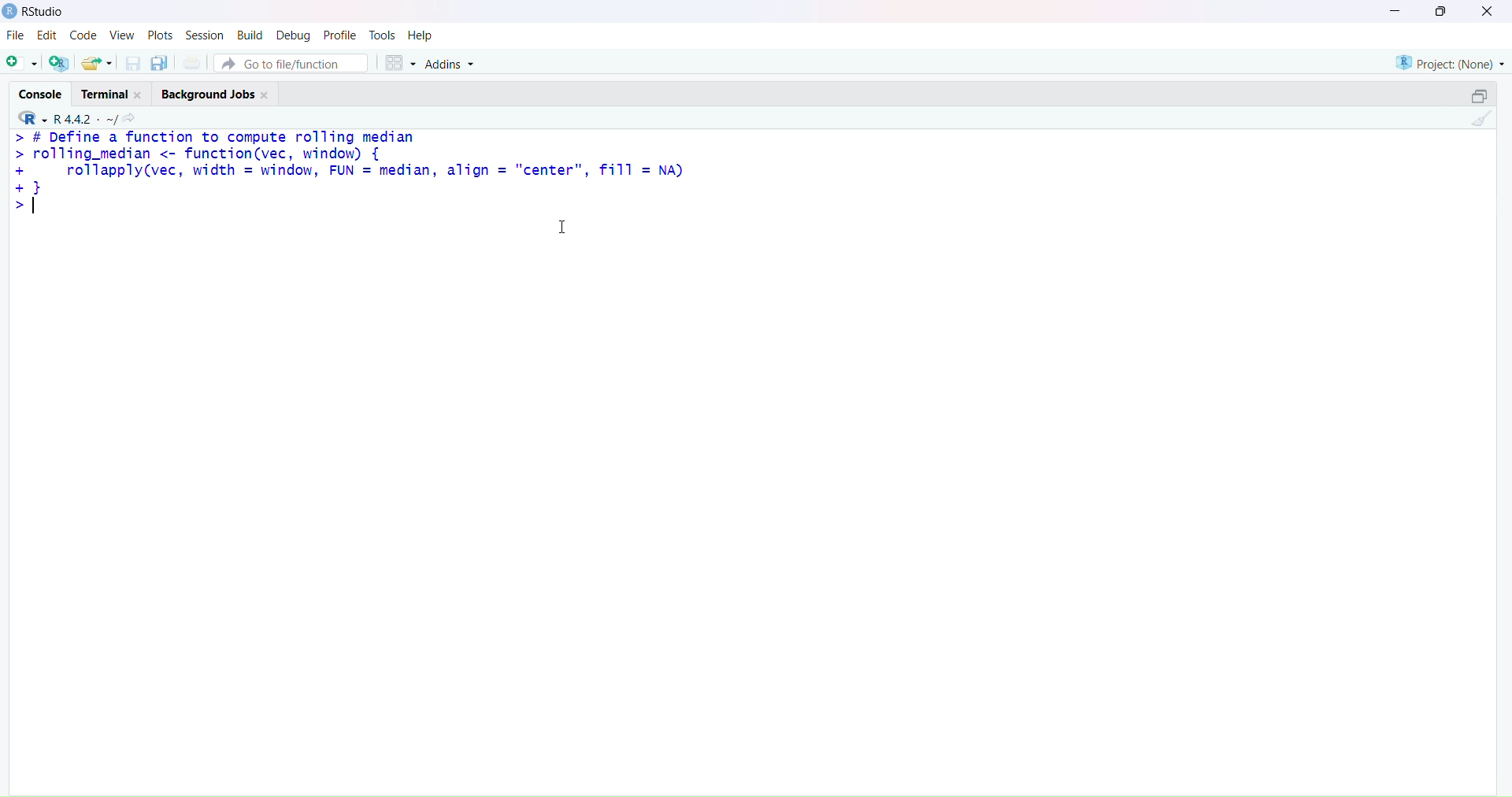 This screenshot has width=1512, height=797. I want to click on add file as, so click(22, 63).